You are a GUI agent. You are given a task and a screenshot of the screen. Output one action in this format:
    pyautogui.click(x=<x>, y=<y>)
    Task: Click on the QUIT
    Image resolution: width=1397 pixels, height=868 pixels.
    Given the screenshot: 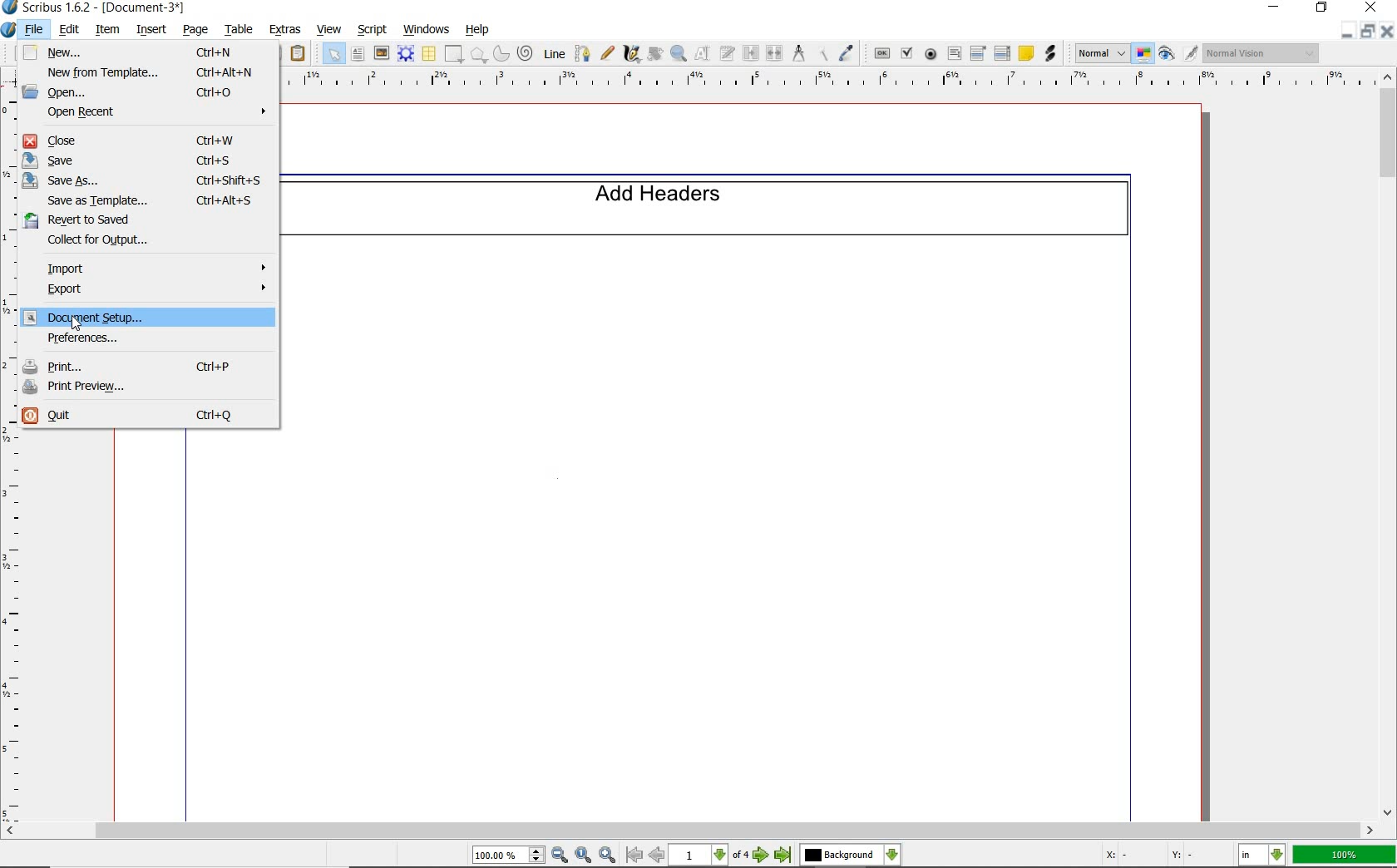 What is the action you would take?
    pyautogui.click(x=146, y=416)
    